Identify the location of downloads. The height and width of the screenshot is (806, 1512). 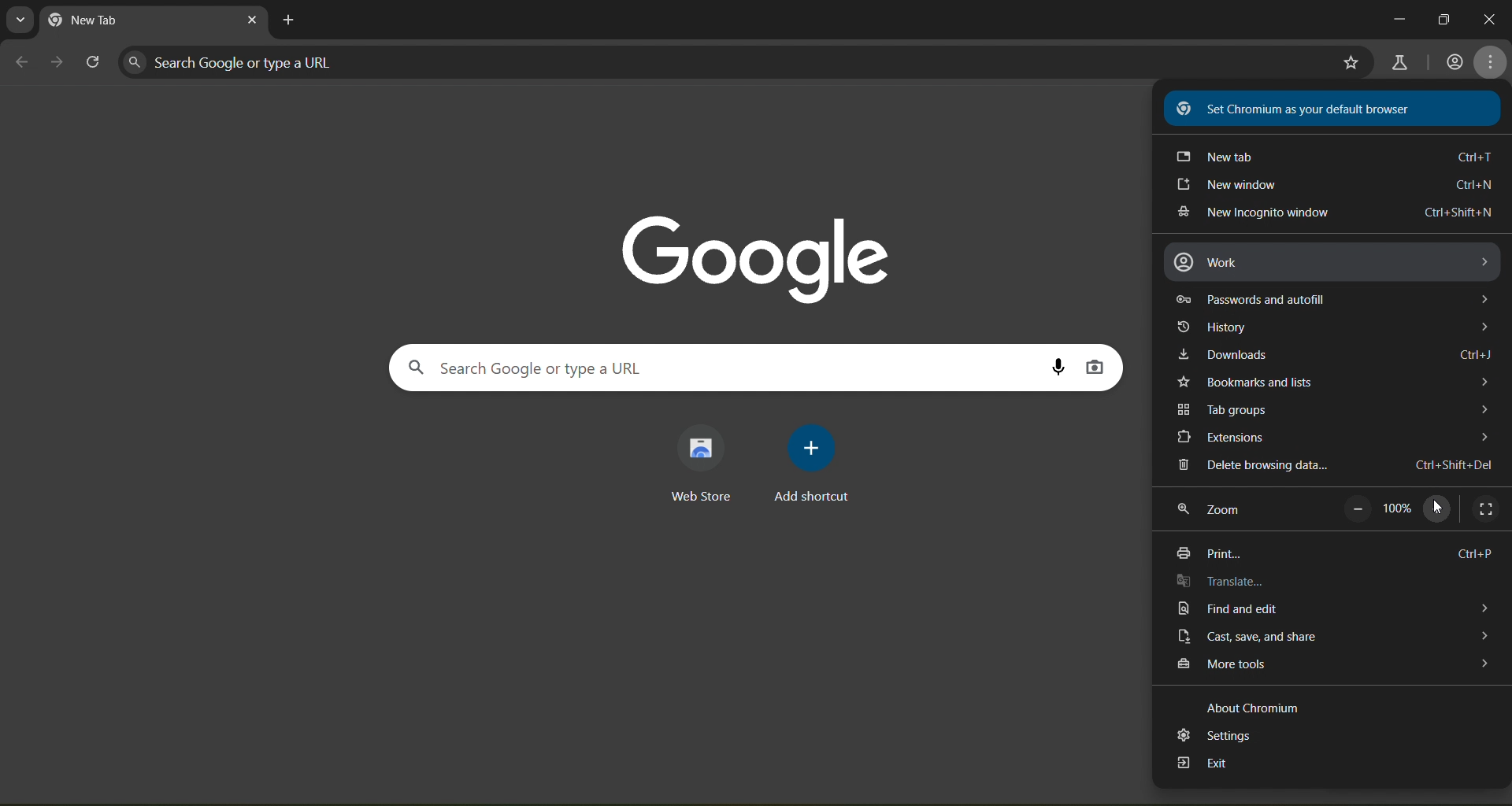
(1339, 357).